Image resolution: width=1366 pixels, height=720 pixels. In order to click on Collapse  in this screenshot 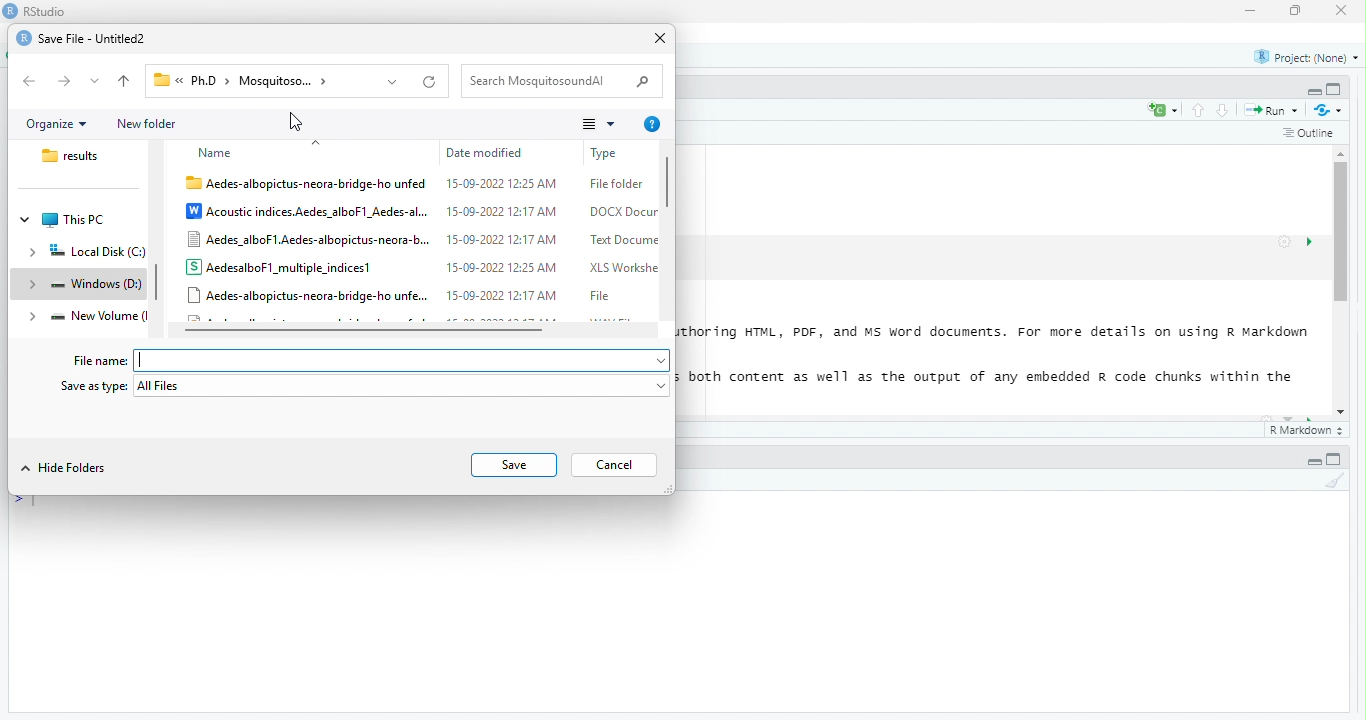, I will do `click(26, 220)`.